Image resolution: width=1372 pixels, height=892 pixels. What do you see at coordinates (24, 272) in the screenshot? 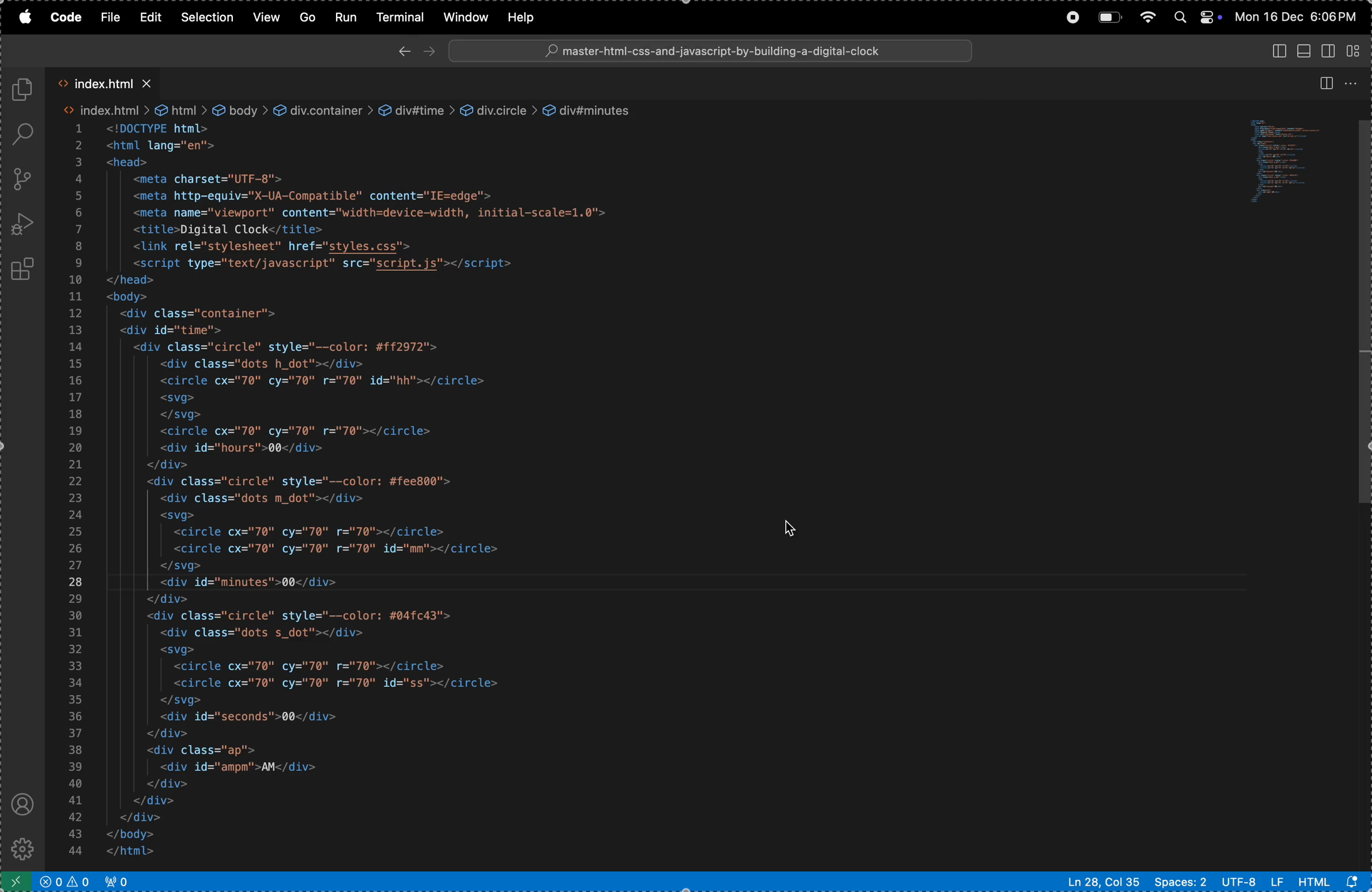
I see `extensons` at bounding box center [24, 272].